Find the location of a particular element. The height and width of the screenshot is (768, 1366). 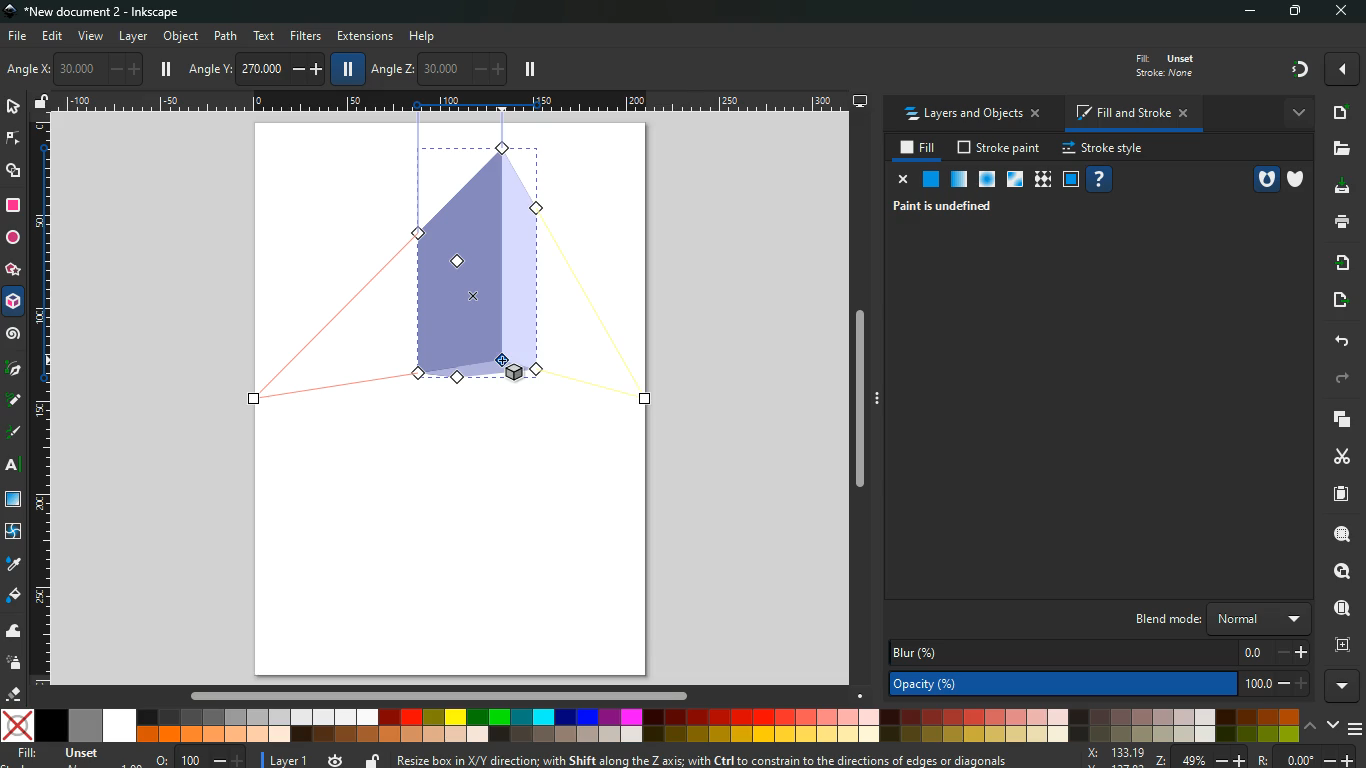

edge is located at coordinates (14, 139).